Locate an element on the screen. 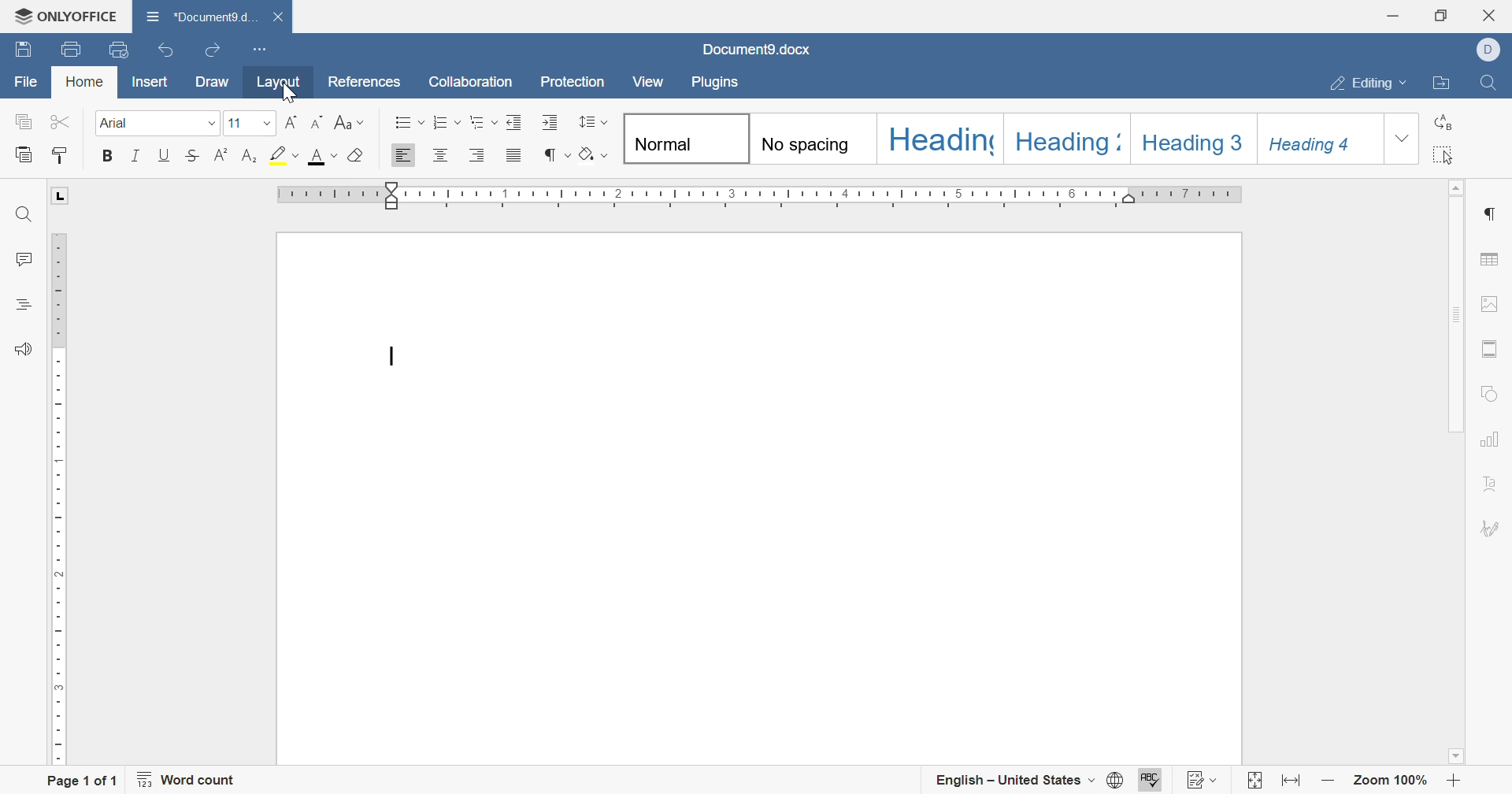 This screenshot has height=794, width=1512. decrease indent is located at coordinates (513, 121).